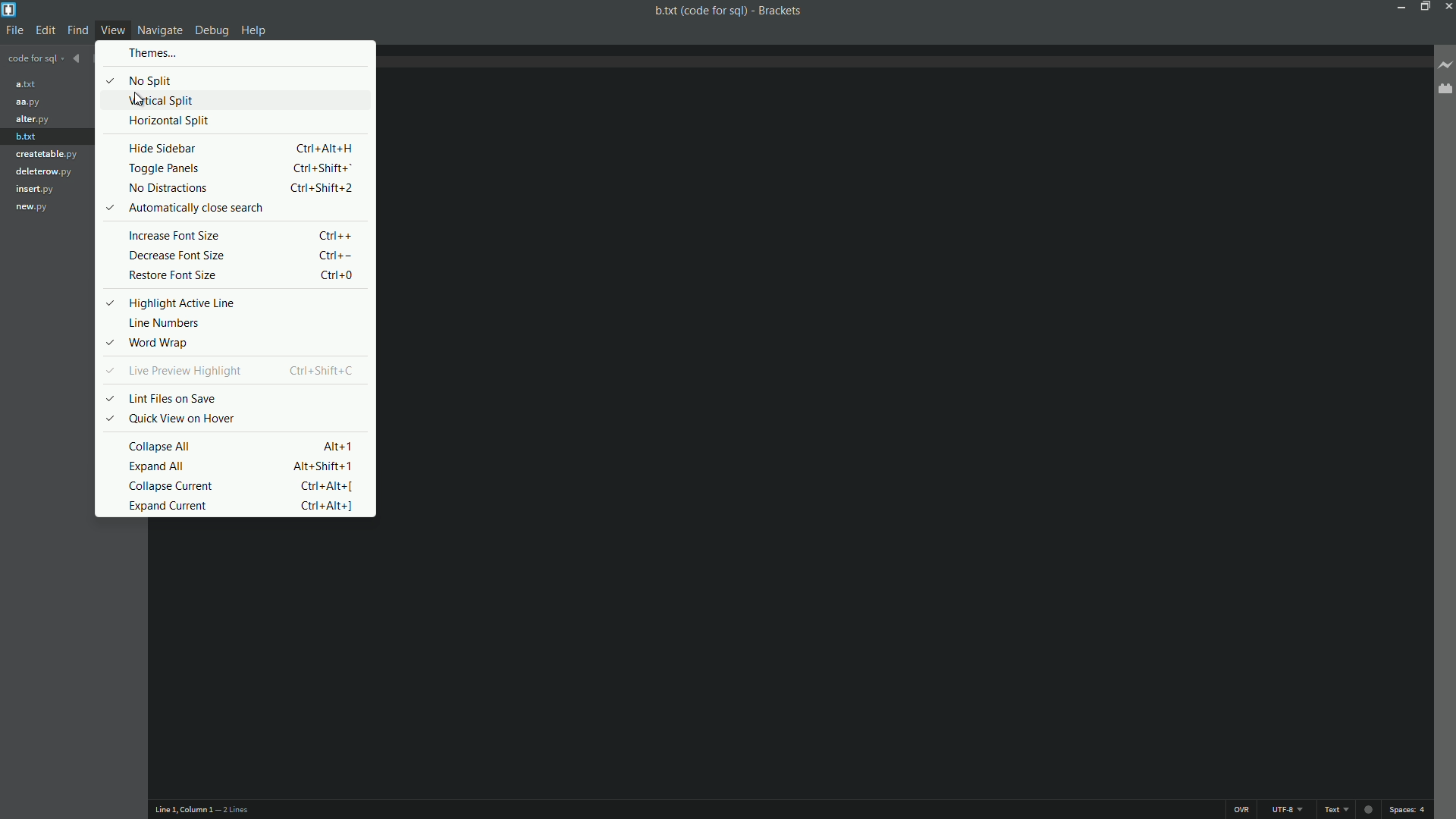 This screenshot has width=1456, height=819. I want to click on word wrap, so click(242, 344).